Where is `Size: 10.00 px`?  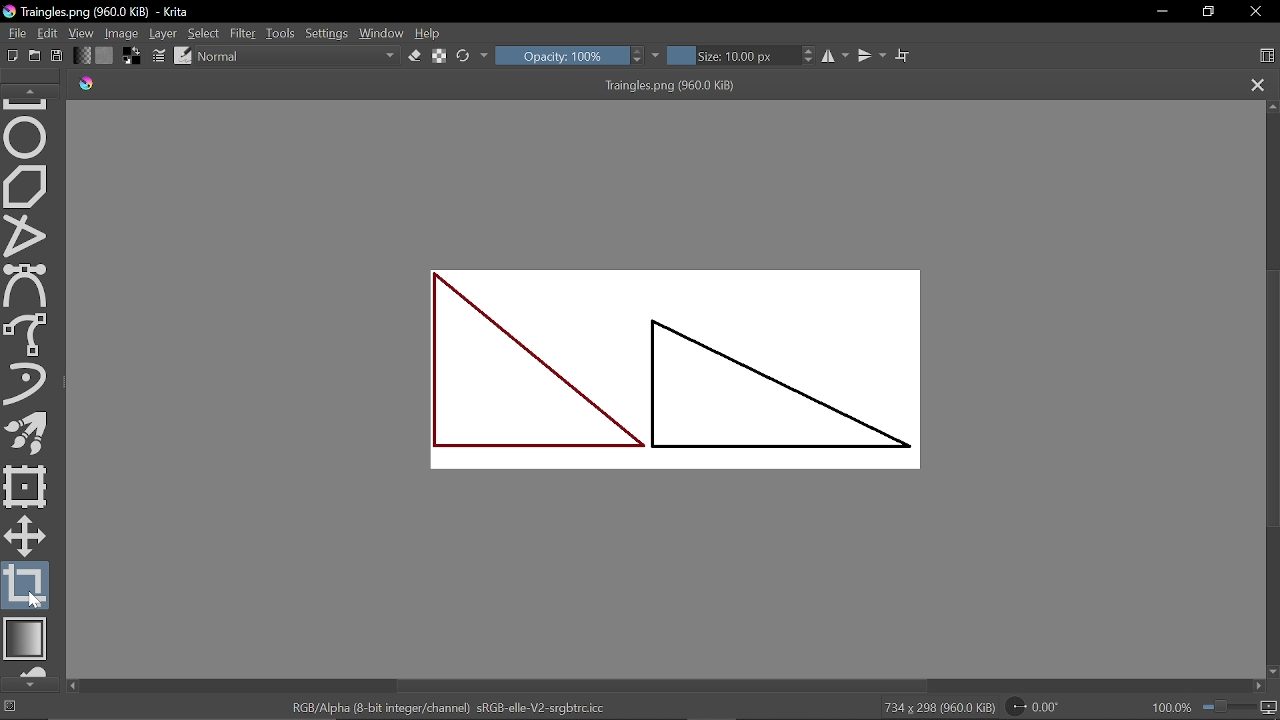 Size: 10.00 px is located at coordinates (734, 56).